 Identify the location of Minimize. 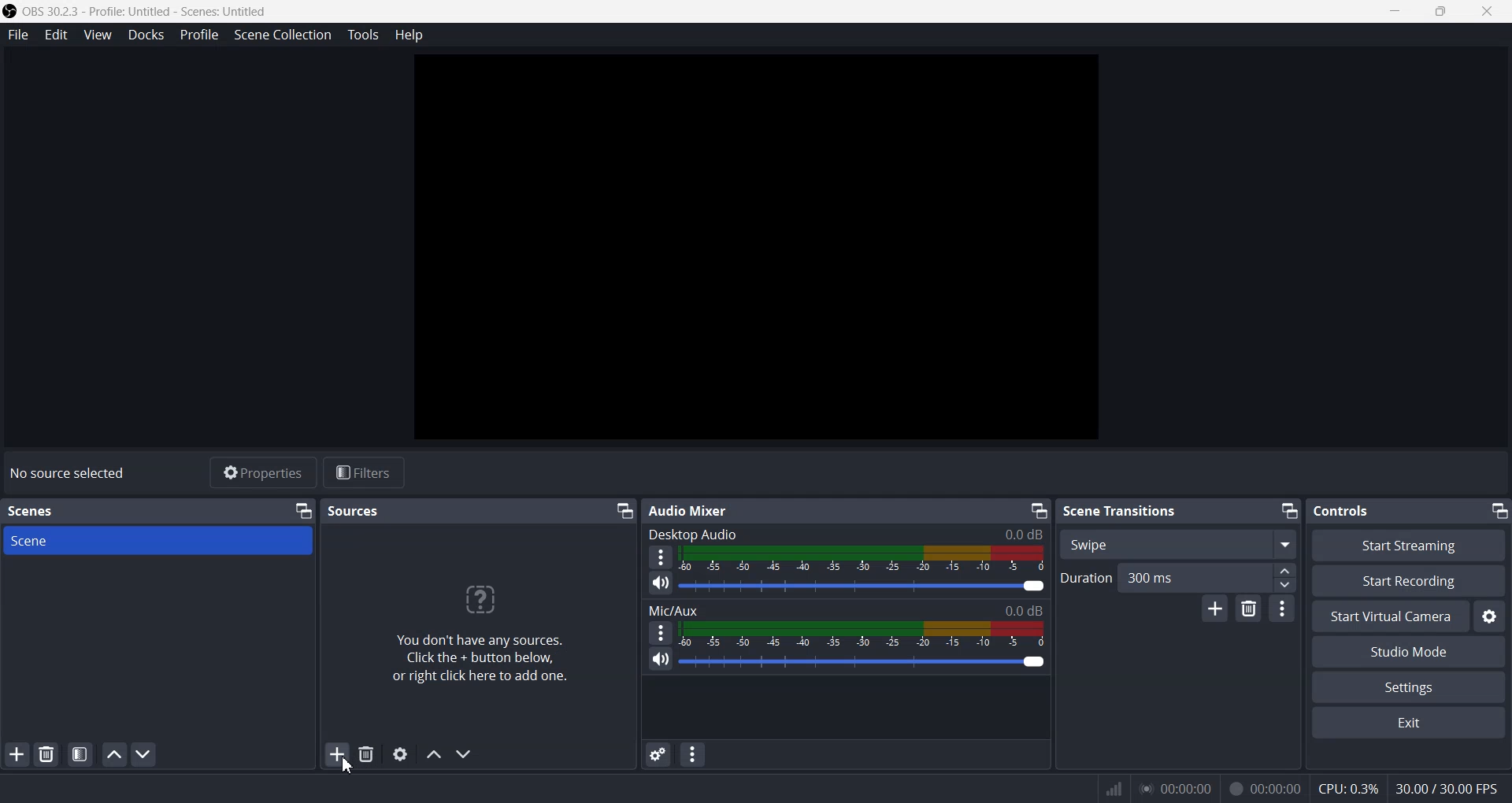
(305, 510).